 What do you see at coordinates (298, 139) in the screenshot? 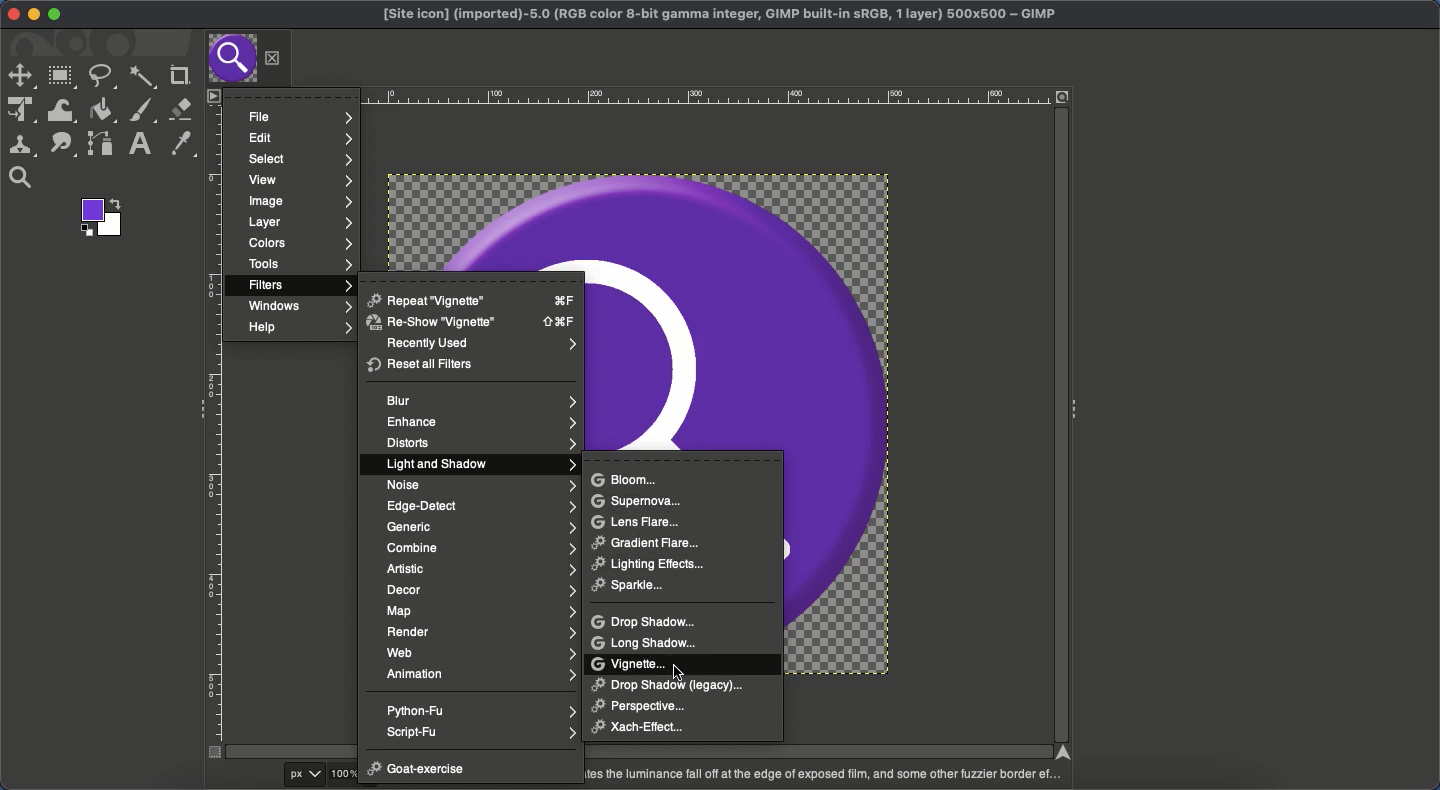
I see `Edit` at bounding box center [298, 139].